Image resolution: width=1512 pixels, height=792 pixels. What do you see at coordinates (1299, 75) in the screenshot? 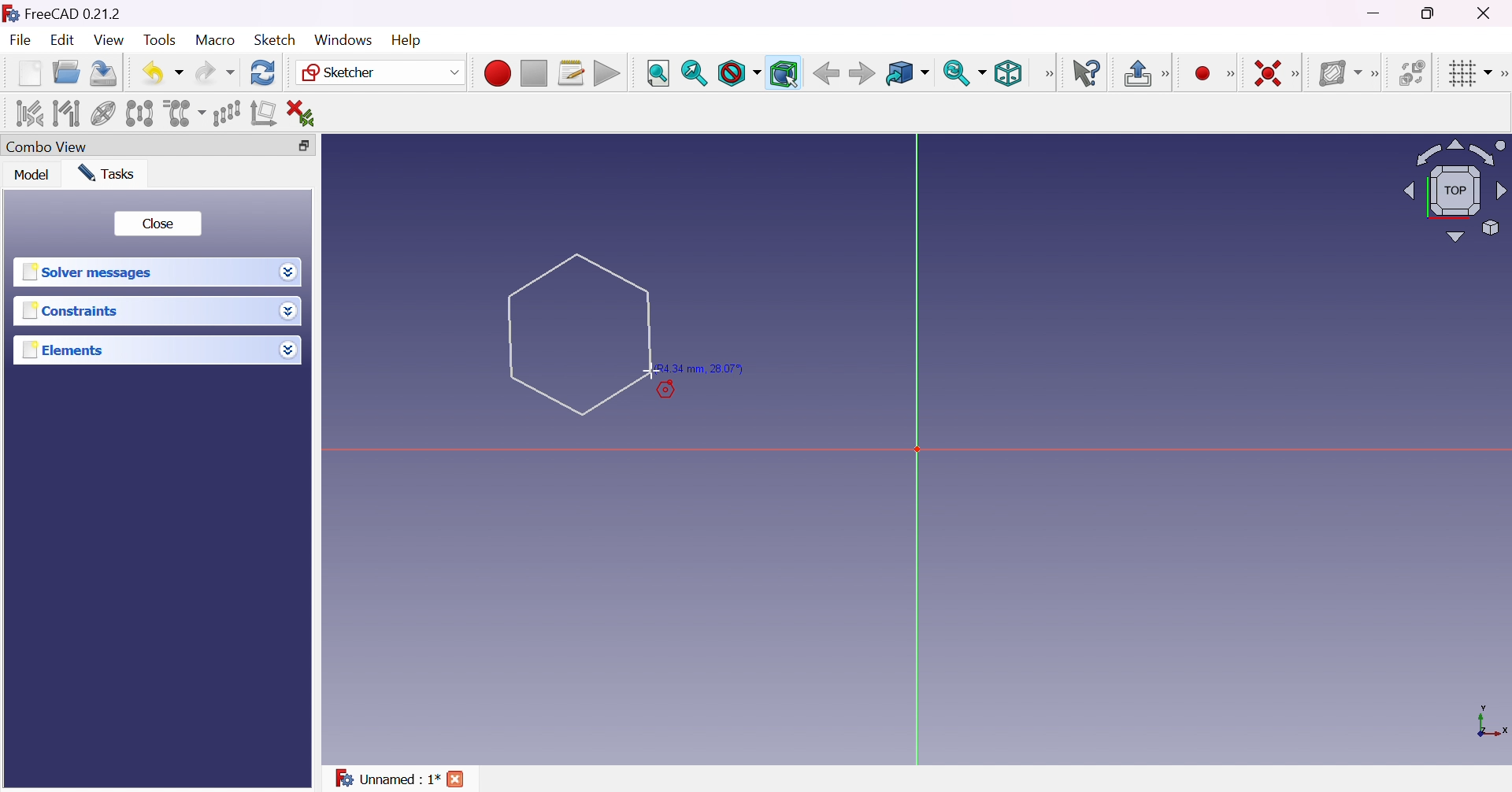
I see `Sketcher constraints` at bounding box center [1299, 75].